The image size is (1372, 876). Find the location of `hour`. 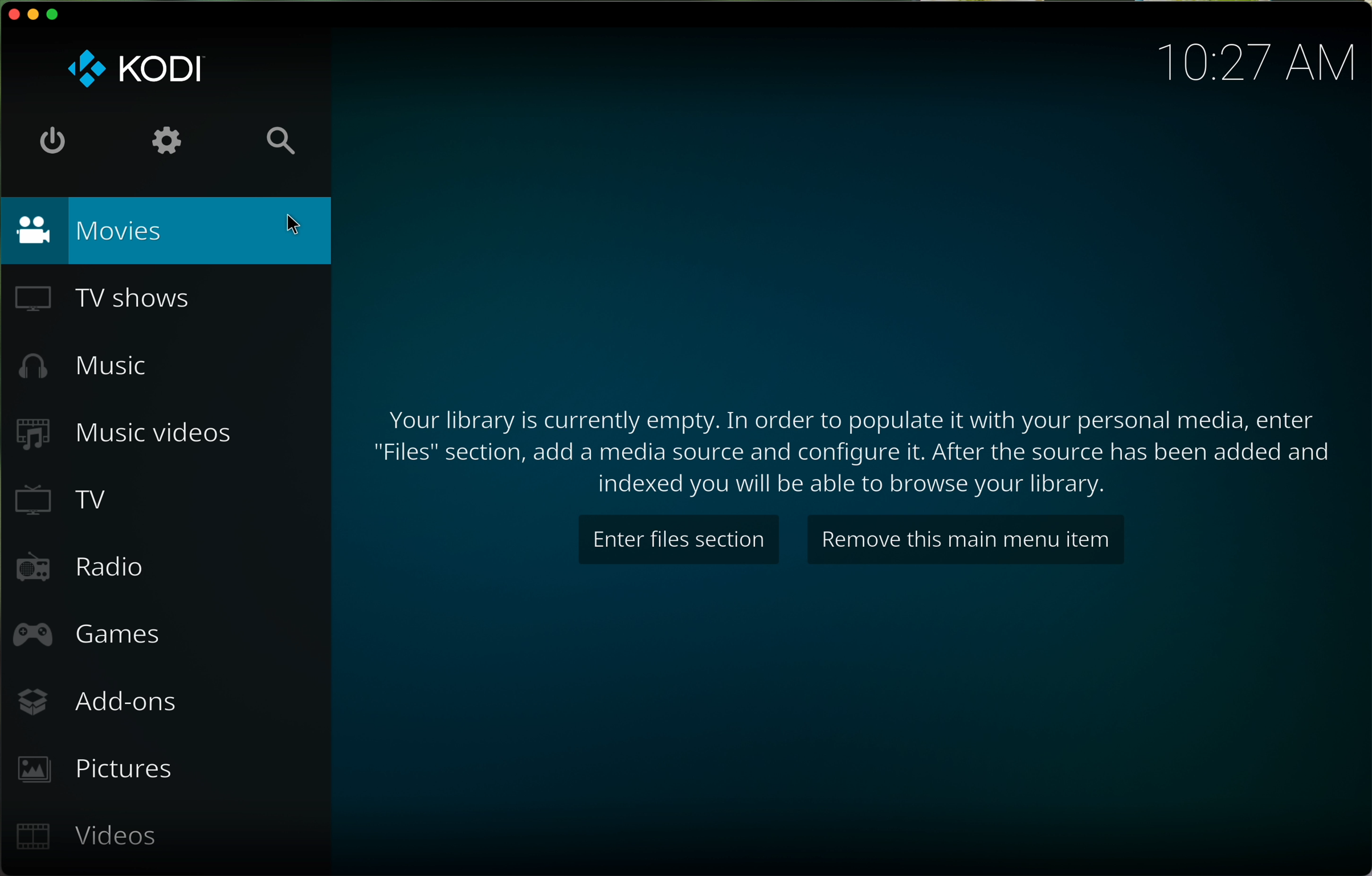

hour is located at coordinates (1255, 63).